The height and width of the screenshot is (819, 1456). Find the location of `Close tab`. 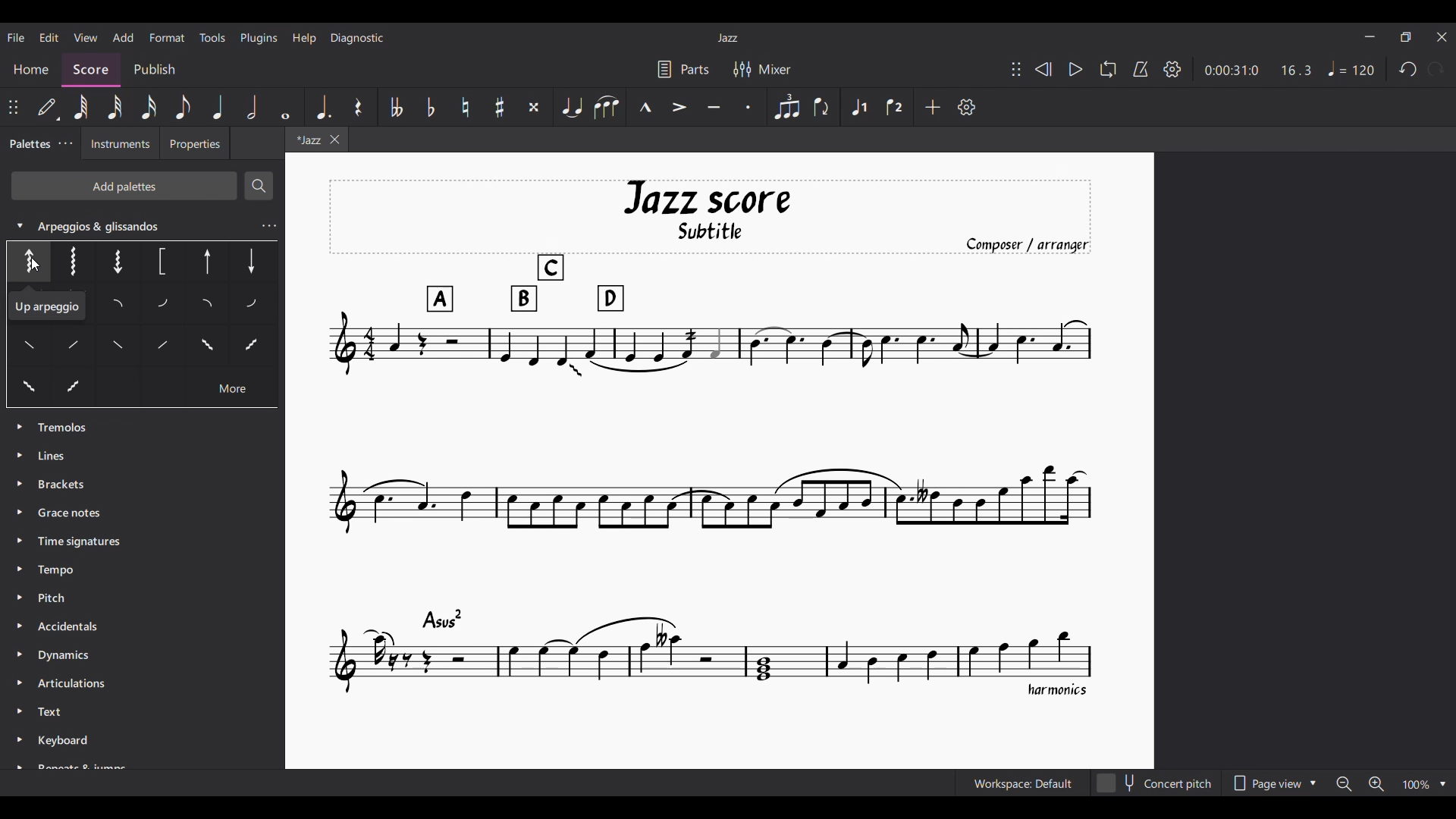

Close tab is located at coordinates (334, 140).